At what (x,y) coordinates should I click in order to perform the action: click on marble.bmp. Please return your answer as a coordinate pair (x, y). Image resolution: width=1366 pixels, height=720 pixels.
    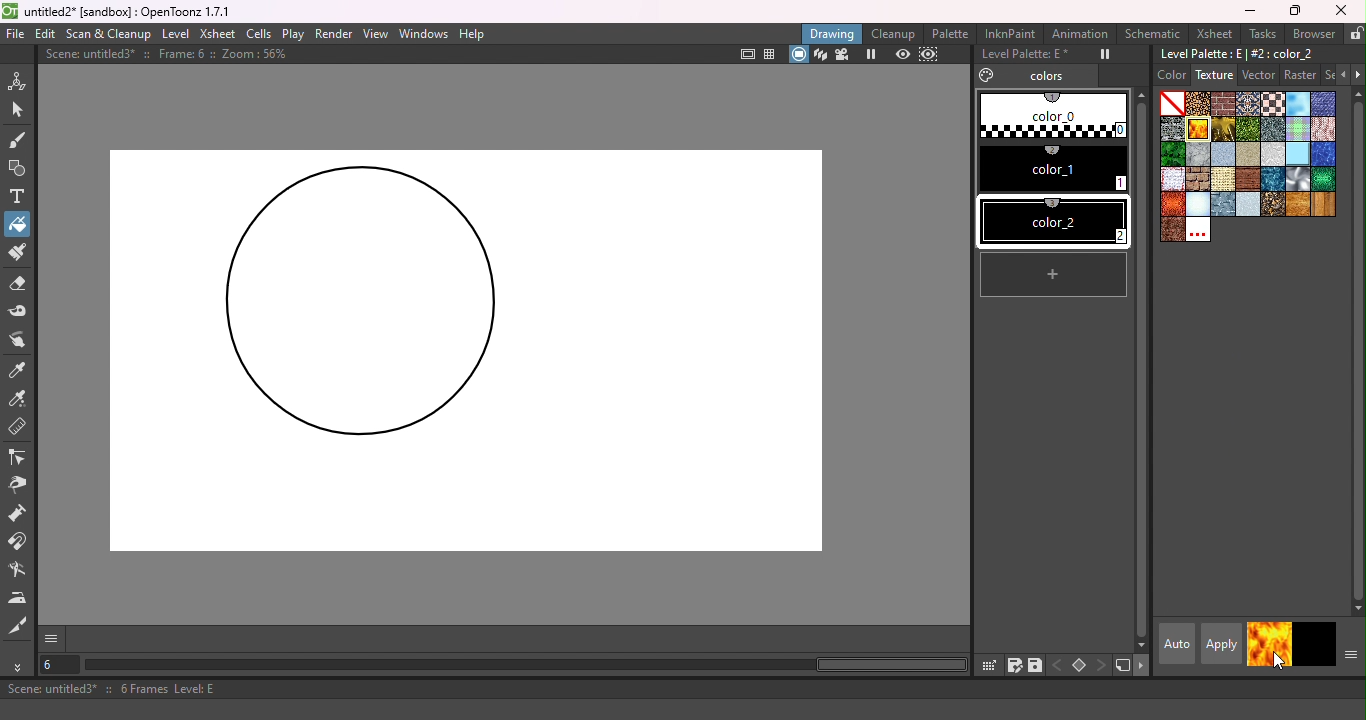
    Looking at the image, I should click on (1198, 154).